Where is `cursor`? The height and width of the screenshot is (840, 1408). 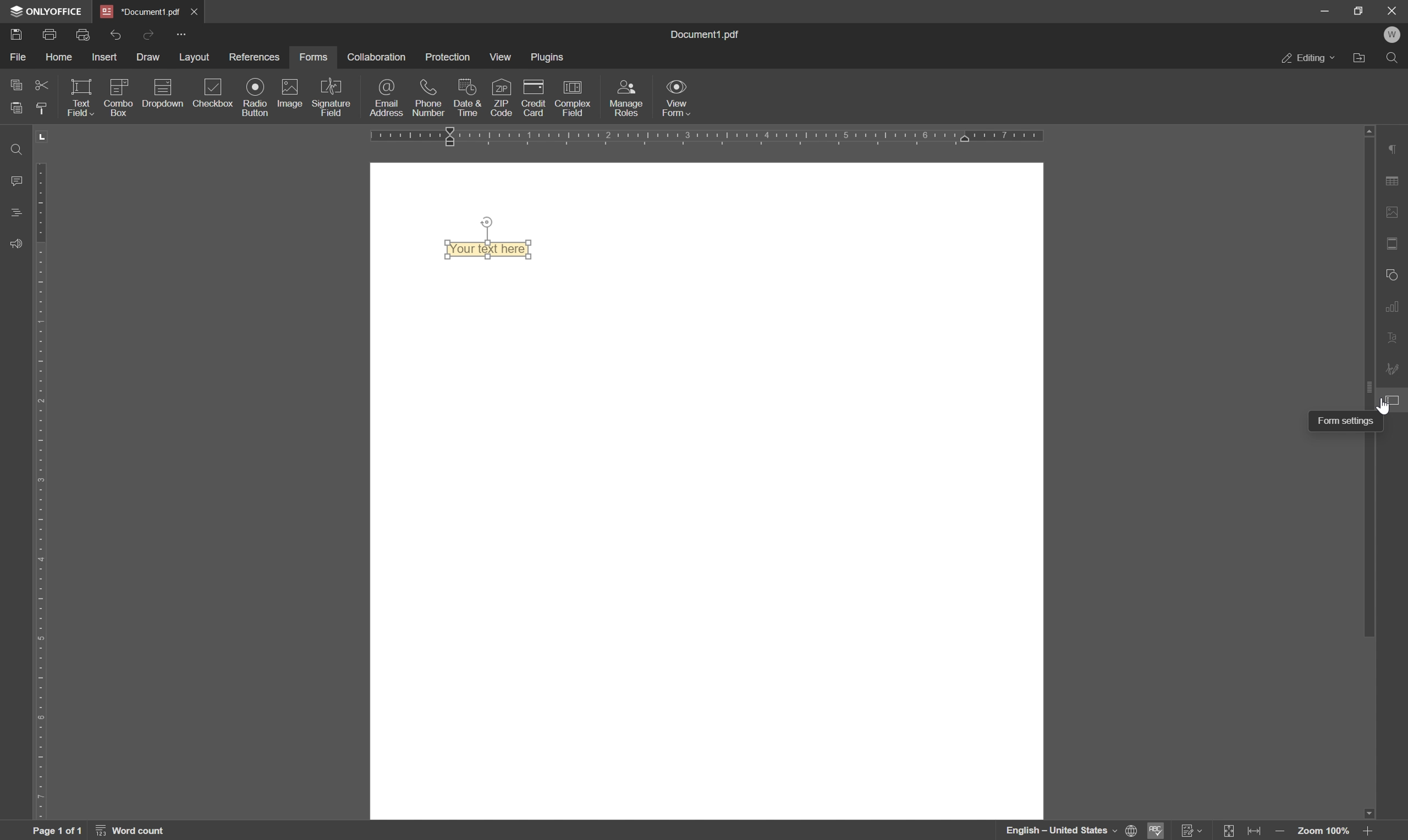
cursor is located at coordinates (1385, 405).